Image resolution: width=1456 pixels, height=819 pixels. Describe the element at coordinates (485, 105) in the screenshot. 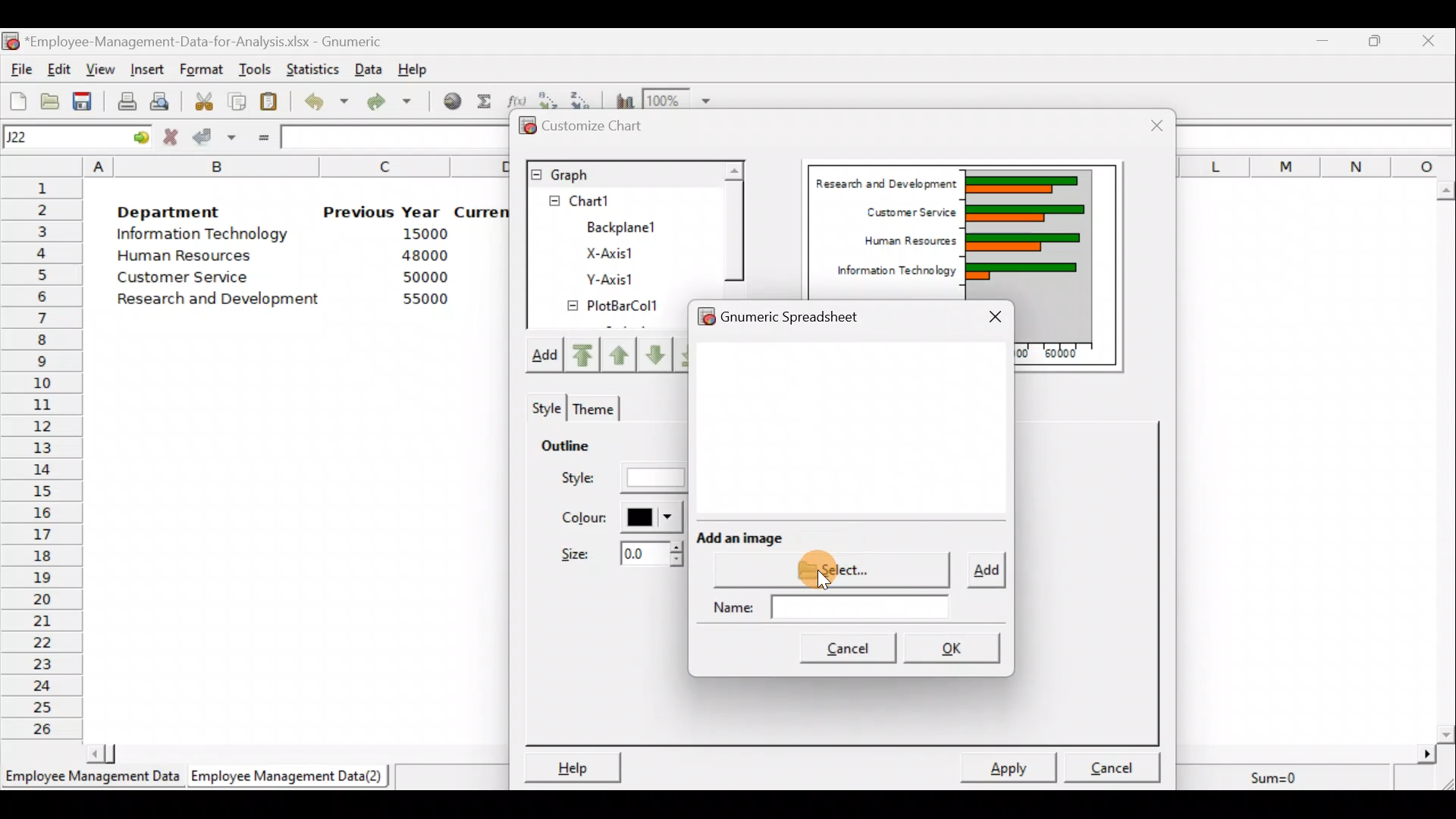

I see `Sum into the current cell` at that location.